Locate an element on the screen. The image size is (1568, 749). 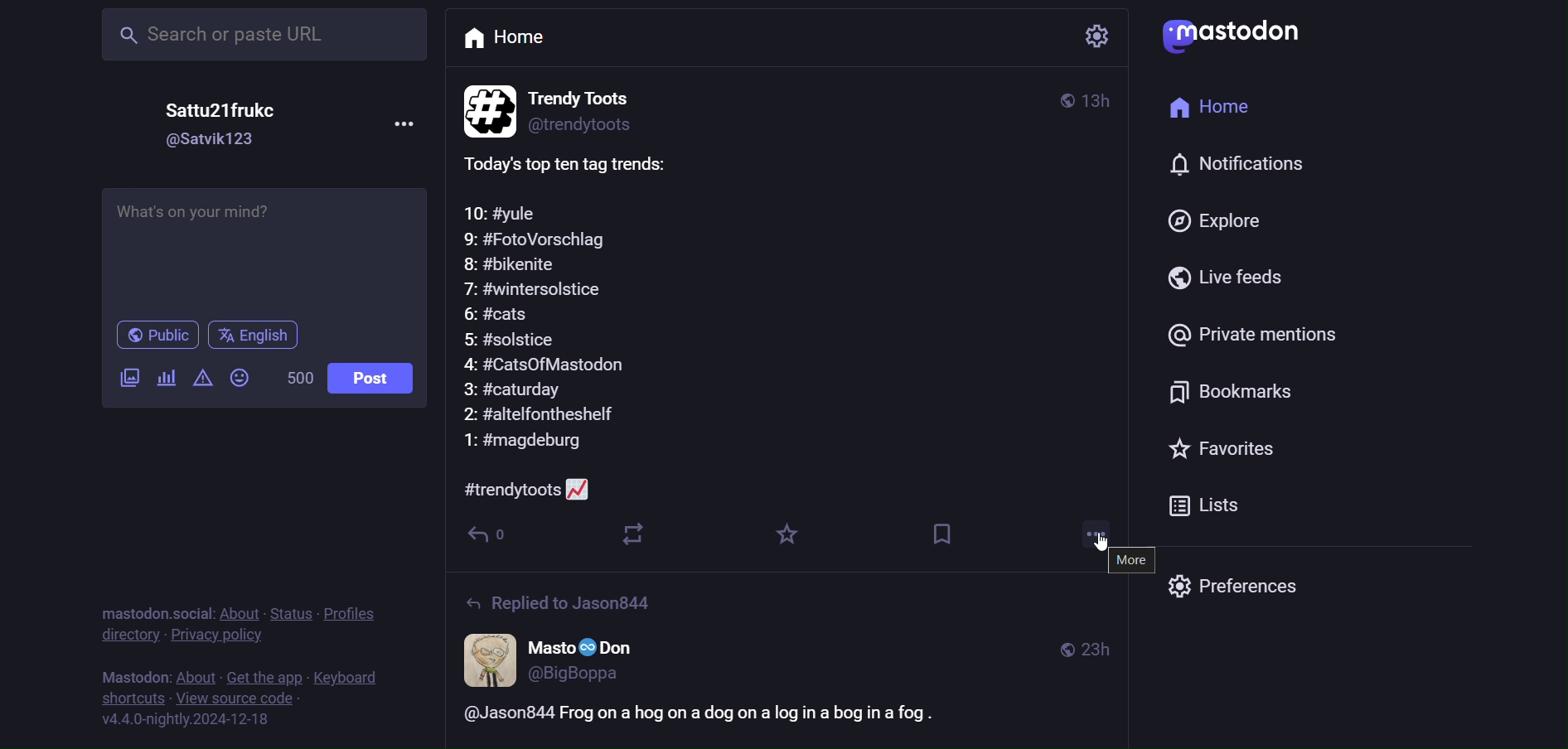
explore is located at coordinates (1222, 220).